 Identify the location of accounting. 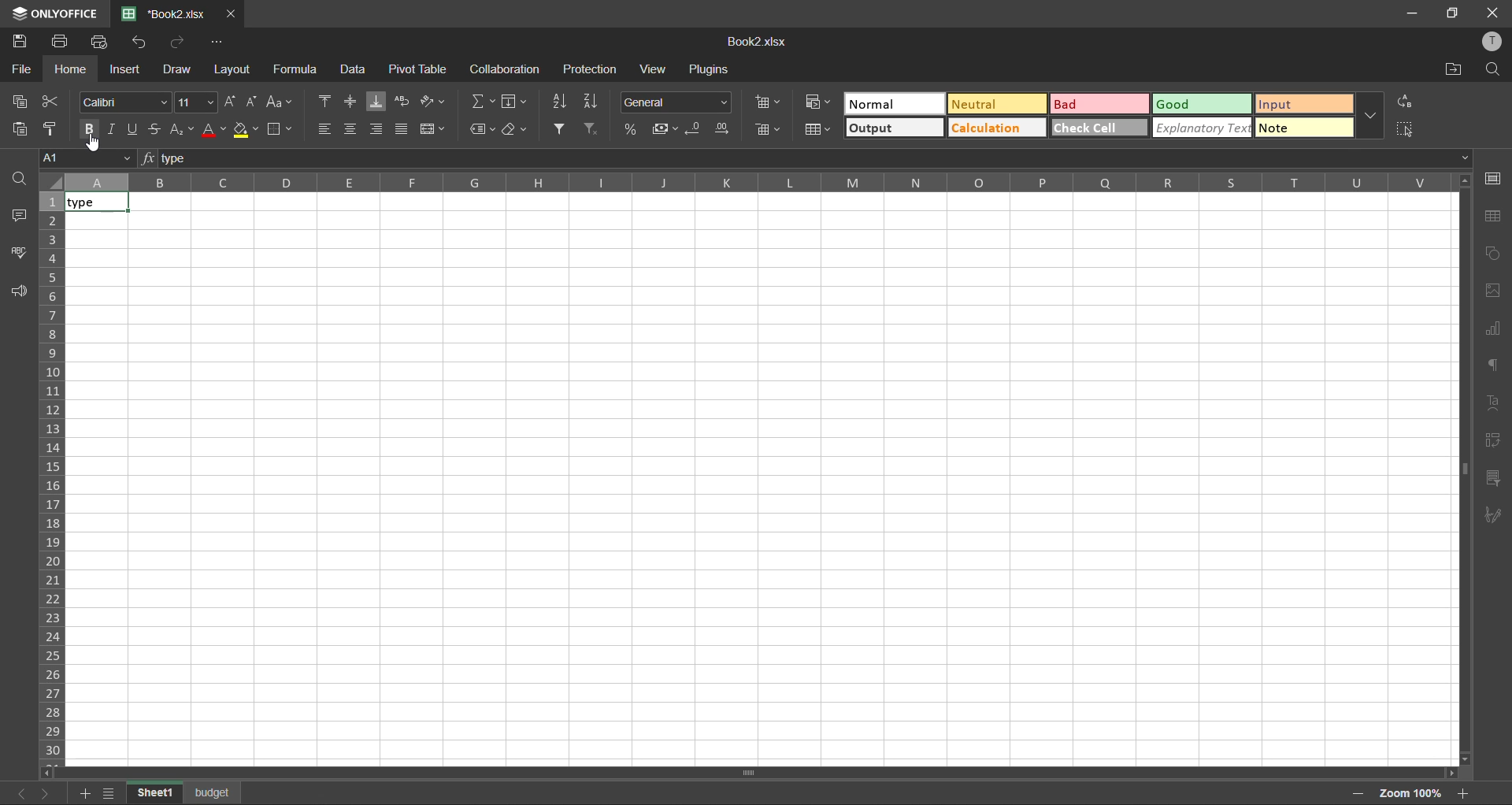
(665, 130).